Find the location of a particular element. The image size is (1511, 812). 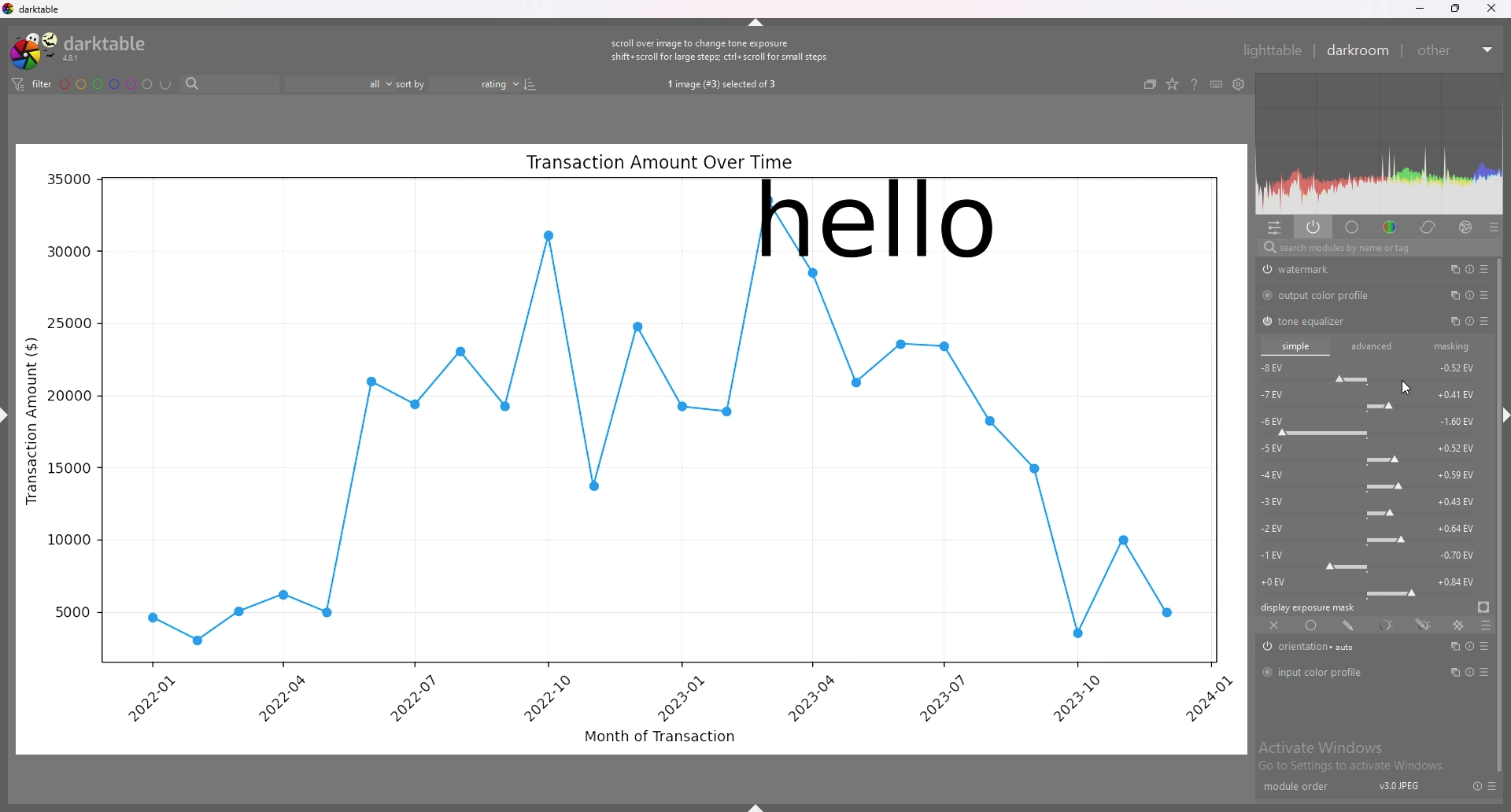

color labels is located at coordinates (105, 85).